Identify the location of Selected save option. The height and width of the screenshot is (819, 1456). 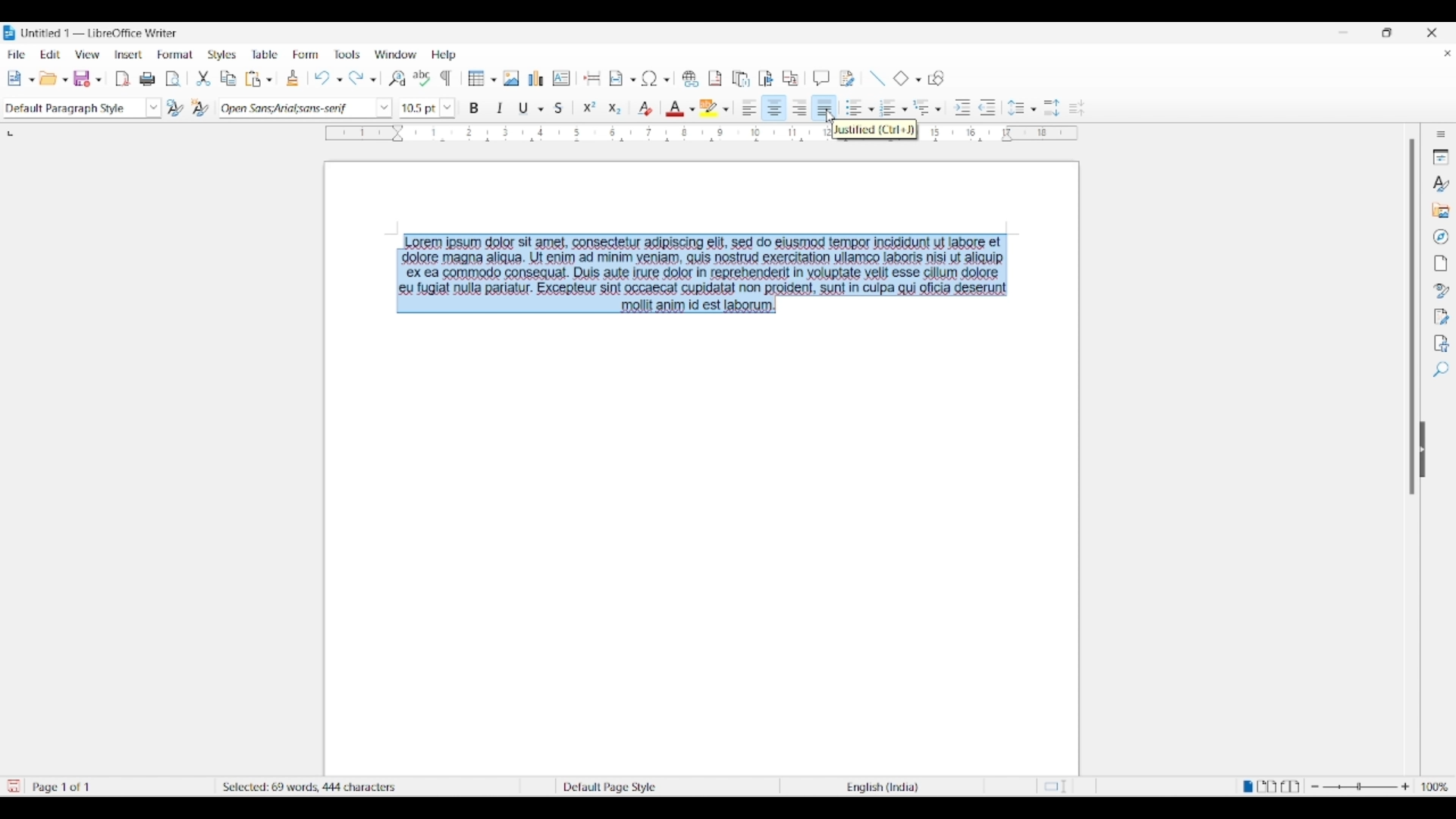
(86, 78).